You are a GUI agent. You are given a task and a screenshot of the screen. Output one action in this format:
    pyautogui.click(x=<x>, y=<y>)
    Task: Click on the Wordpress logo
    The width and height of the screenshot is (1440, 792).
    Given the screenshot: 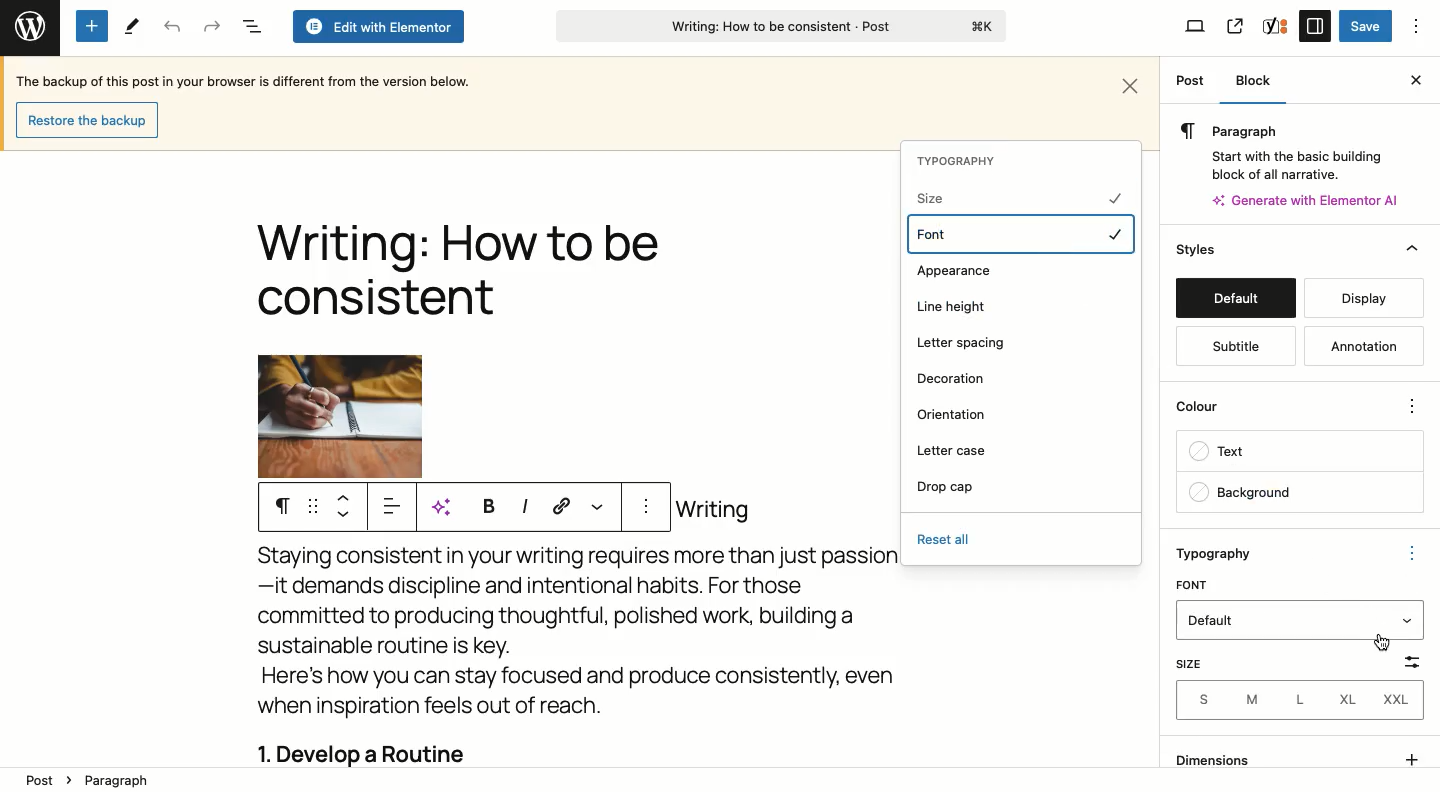 What is the action you would take?
    pyautogui.click(x=28, y=23)
    